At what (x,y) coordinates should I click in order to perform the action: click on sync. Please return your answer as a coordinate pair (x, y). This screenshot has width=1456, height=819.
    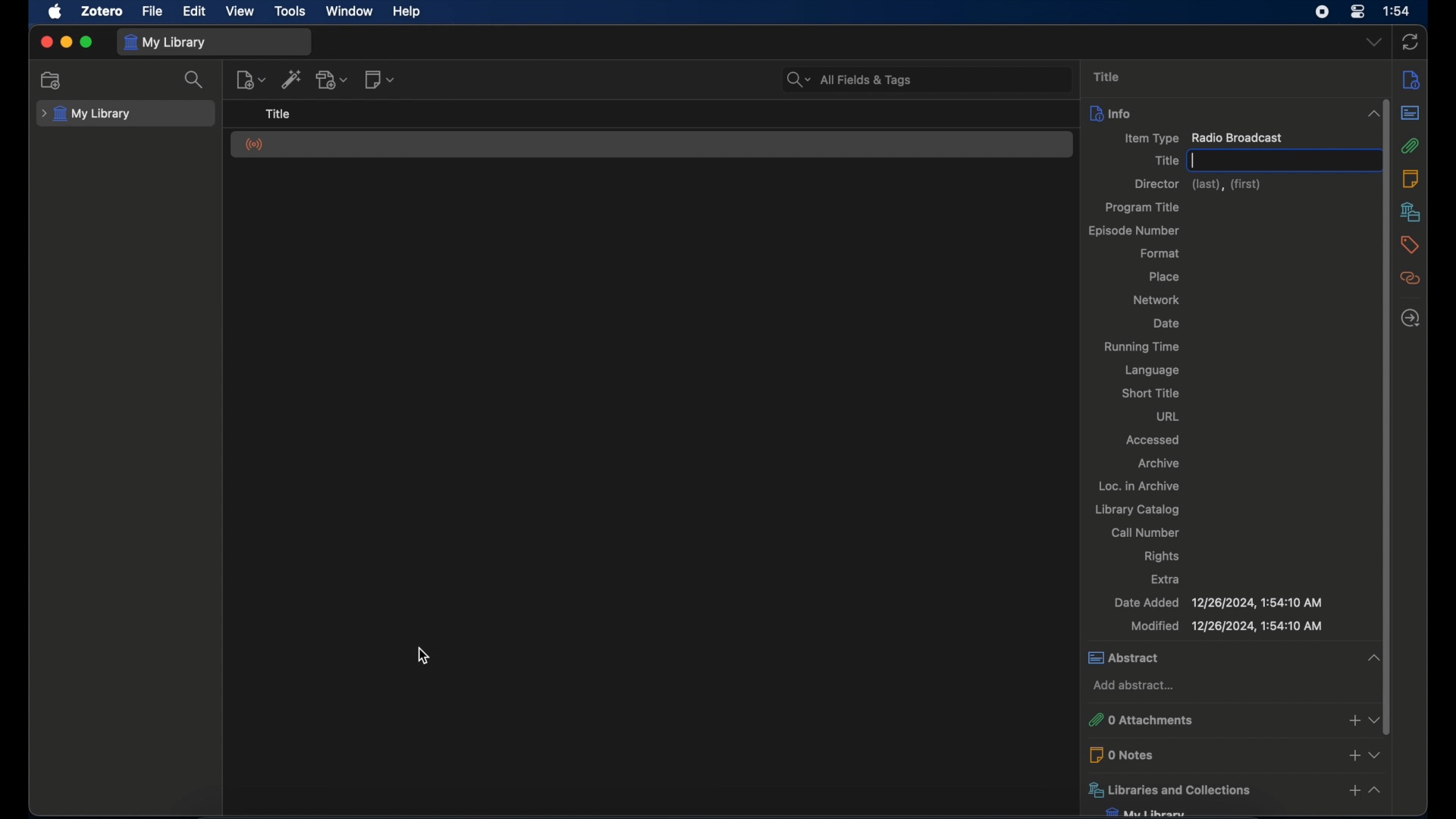
    Looking at the image, I should click on (1412, 42).